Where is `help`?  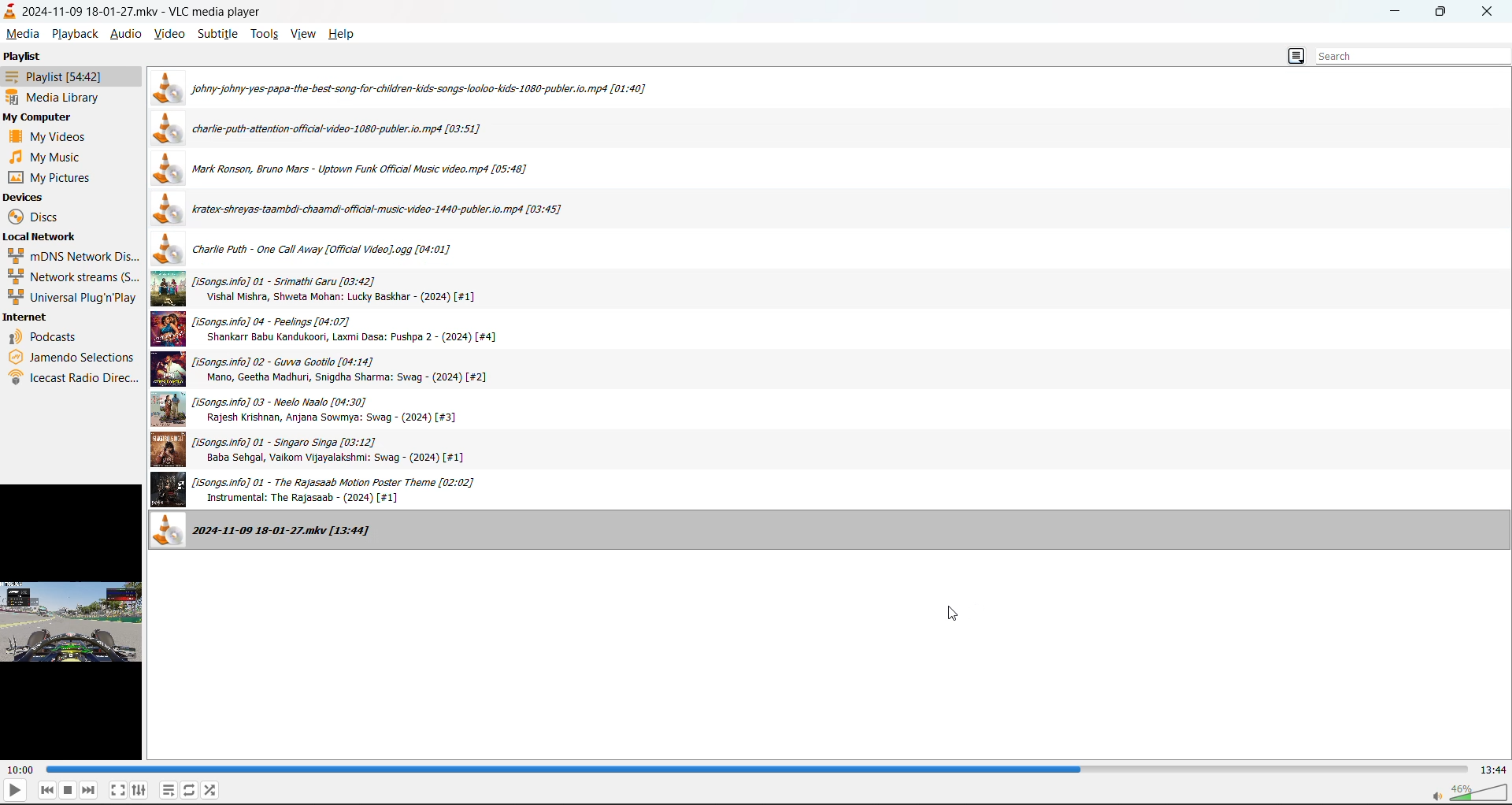
help is located at coordinates (343, 34).